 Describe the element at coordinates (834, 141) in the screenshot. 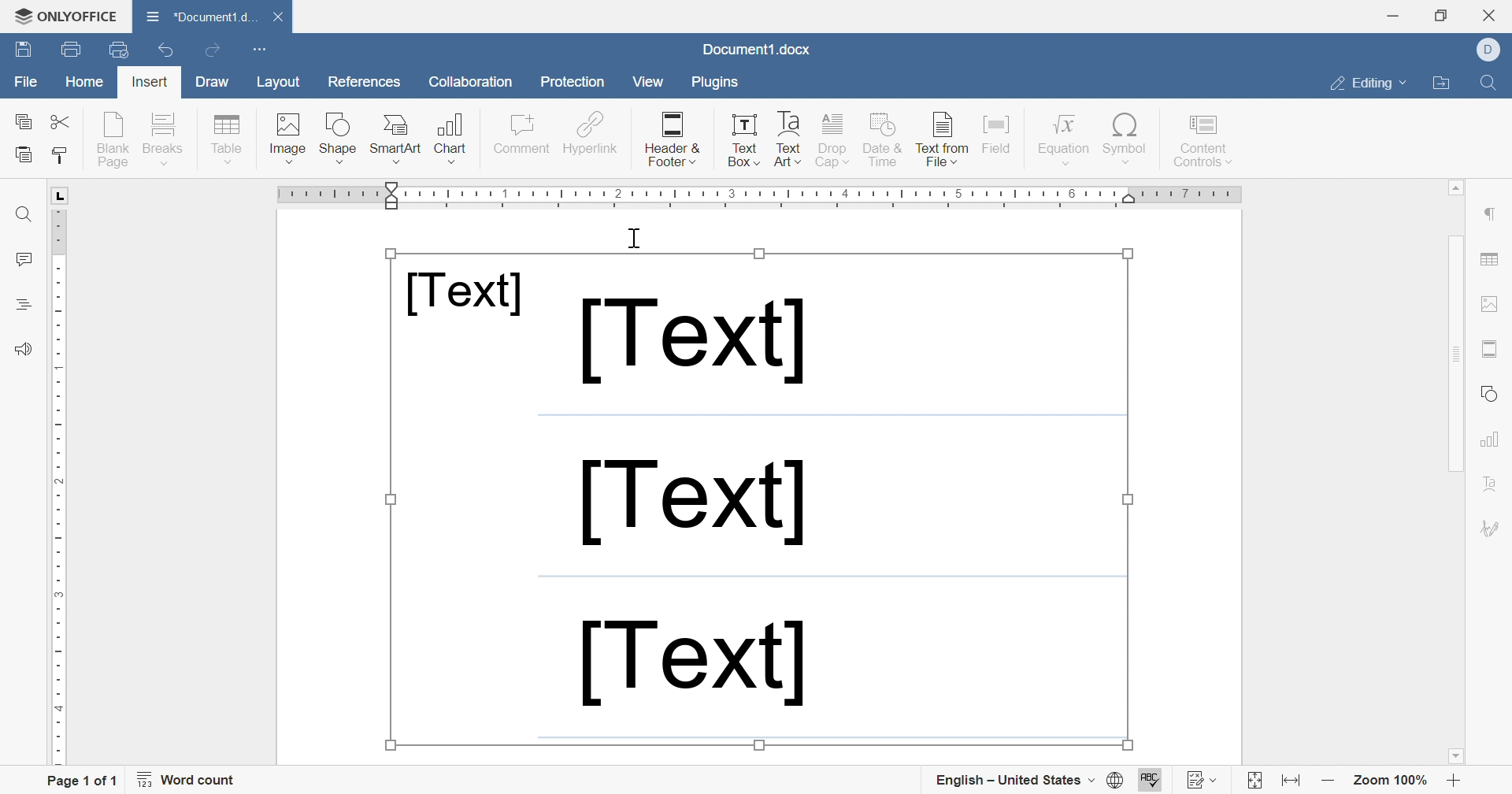

I see `Drop cap` at that location.